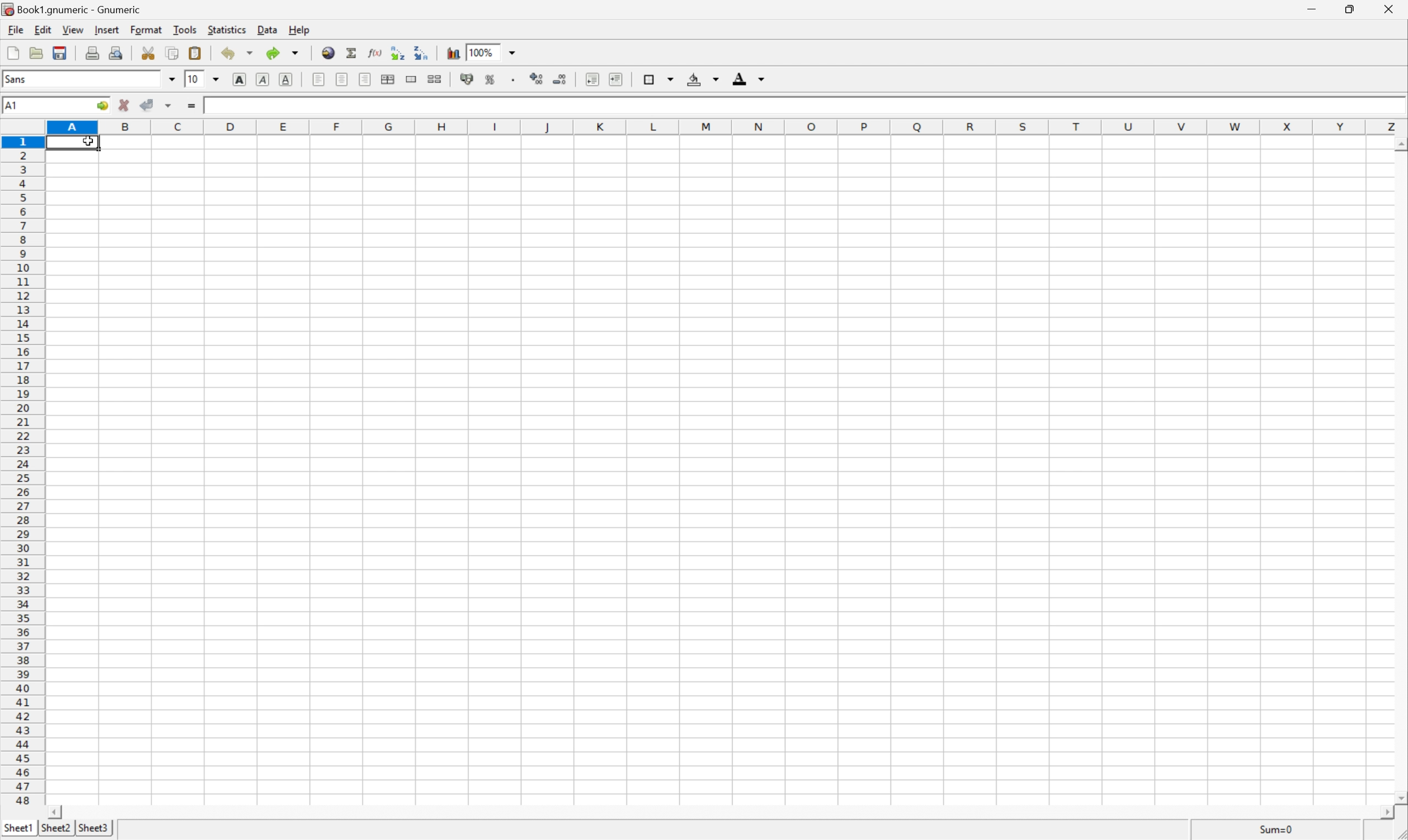 The height and width of the screenshot is (840, 1408). Describe the element at coordinates (411, 77) in the screenshot. I see `merge a range of cells` at that location.